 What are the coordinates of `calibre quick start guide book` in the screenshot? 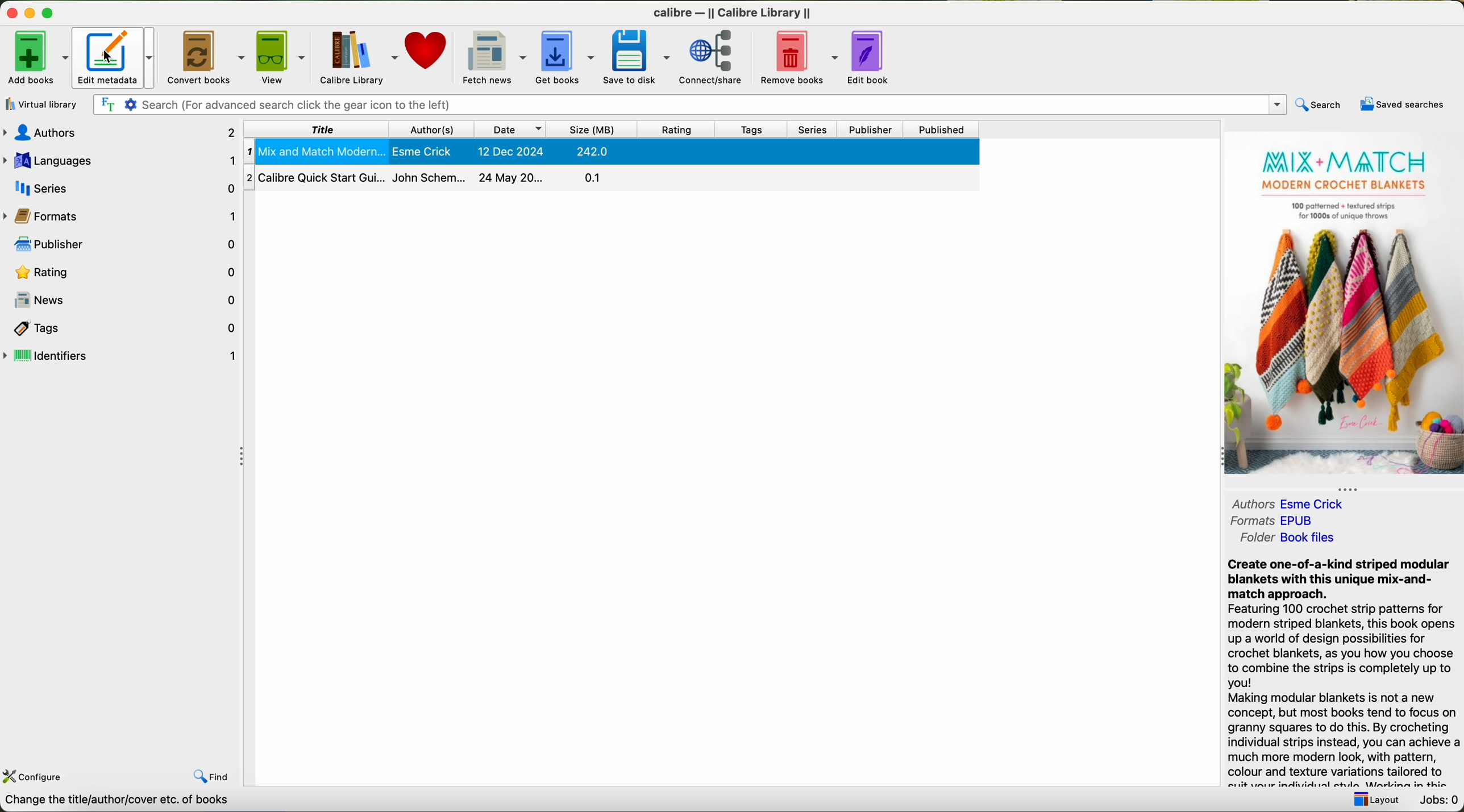 It's located at (611, 176).